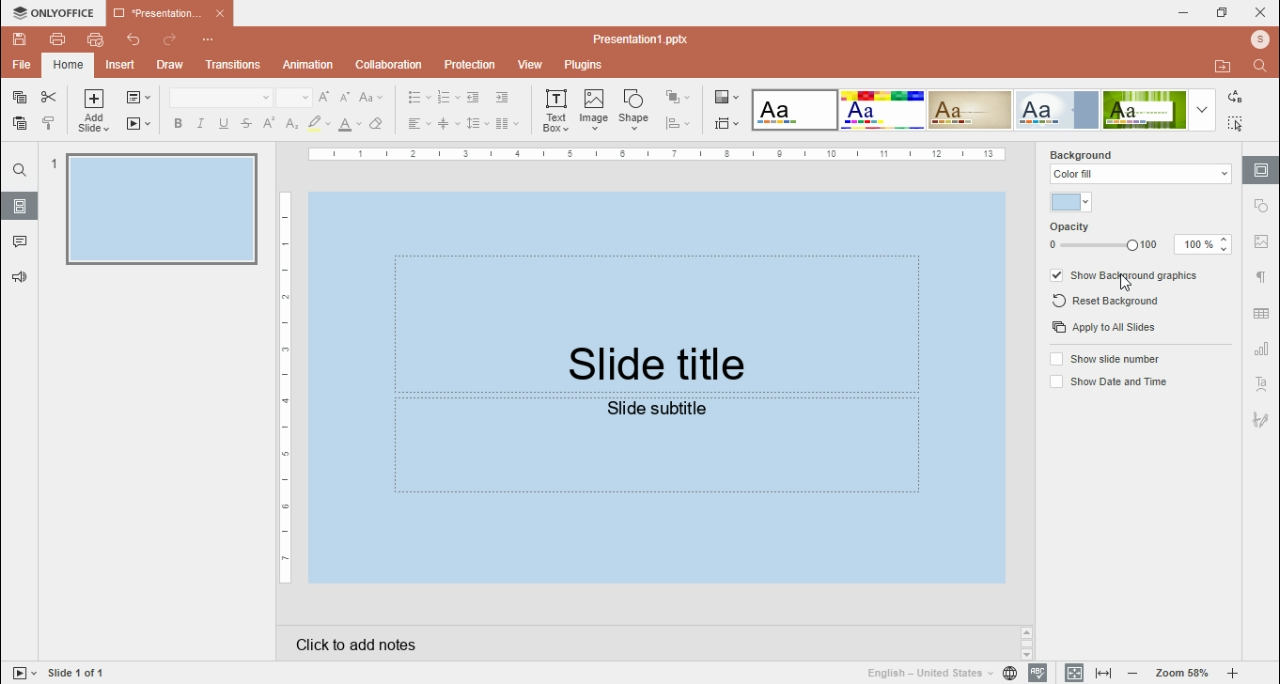  Describe the element at coordinates (1010, 674) in the screenshot. I see `set document language` at that location.